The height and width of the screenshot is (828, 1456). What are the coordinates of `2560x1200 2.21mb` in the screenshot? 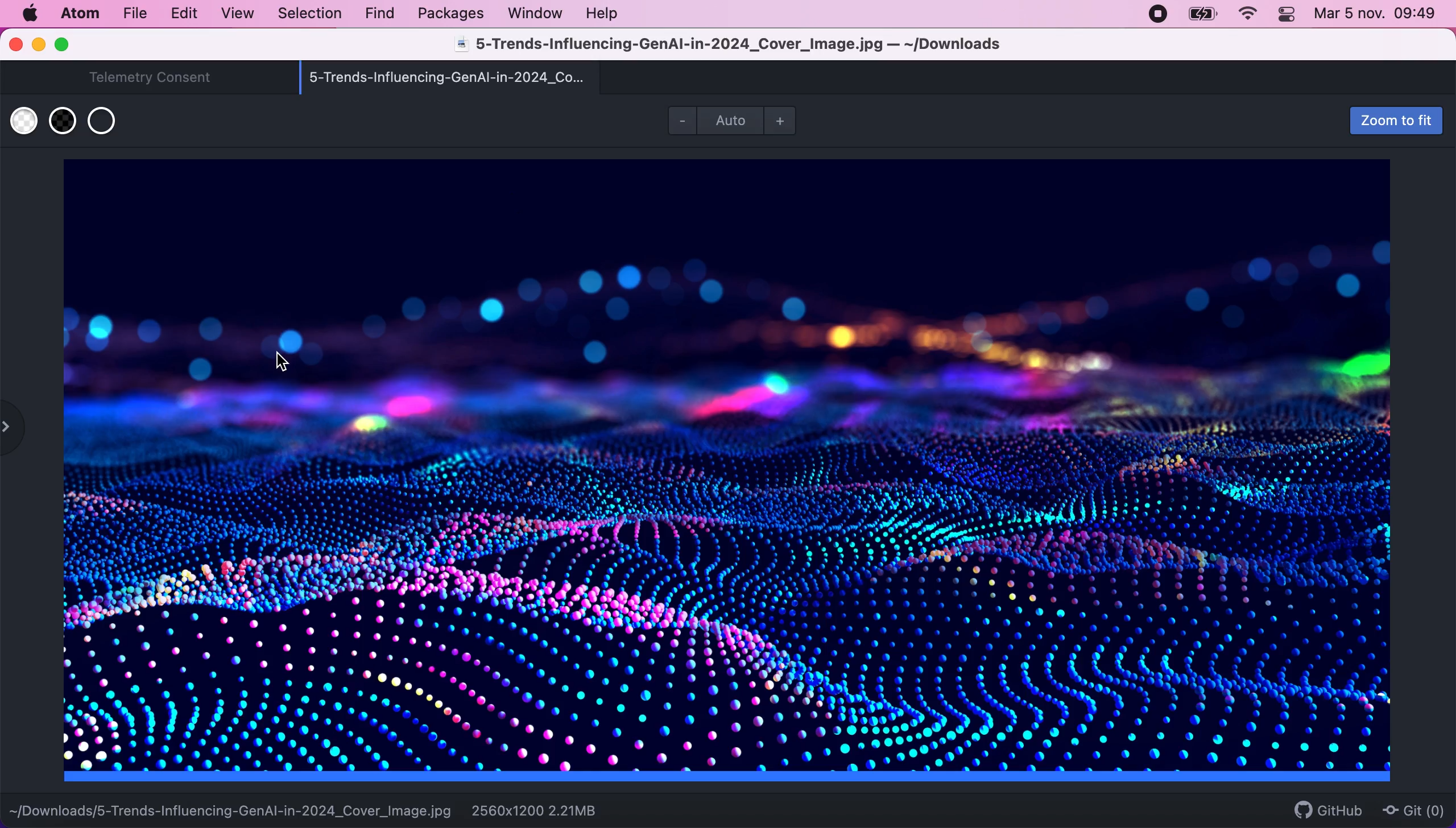 It's located at (545, 810).